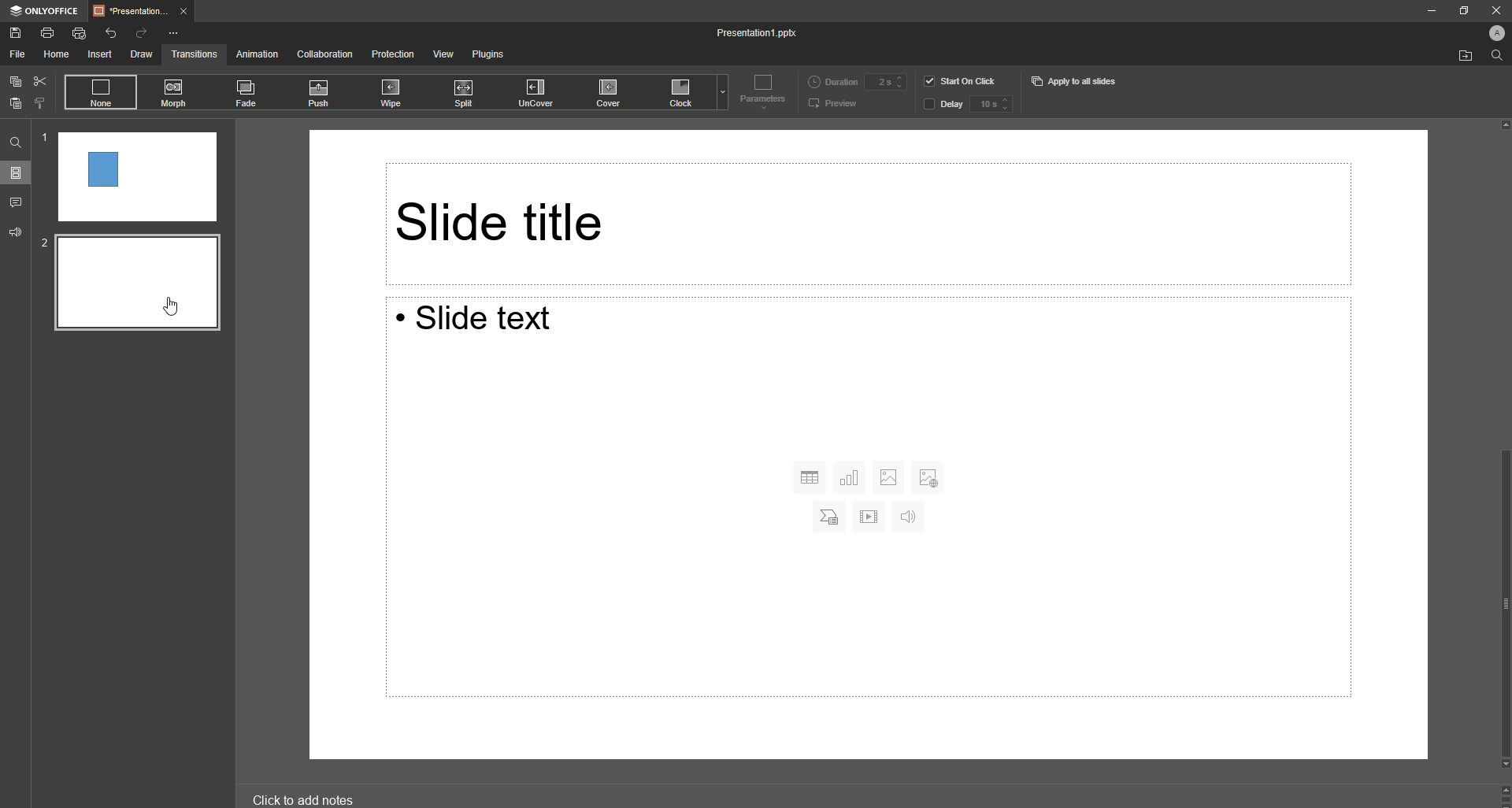 This screenshot has height=808, width=1512. What do you see at coordinates (43, 80) in the screenshot?
I see `Cut` at bounding box center [43, 80].